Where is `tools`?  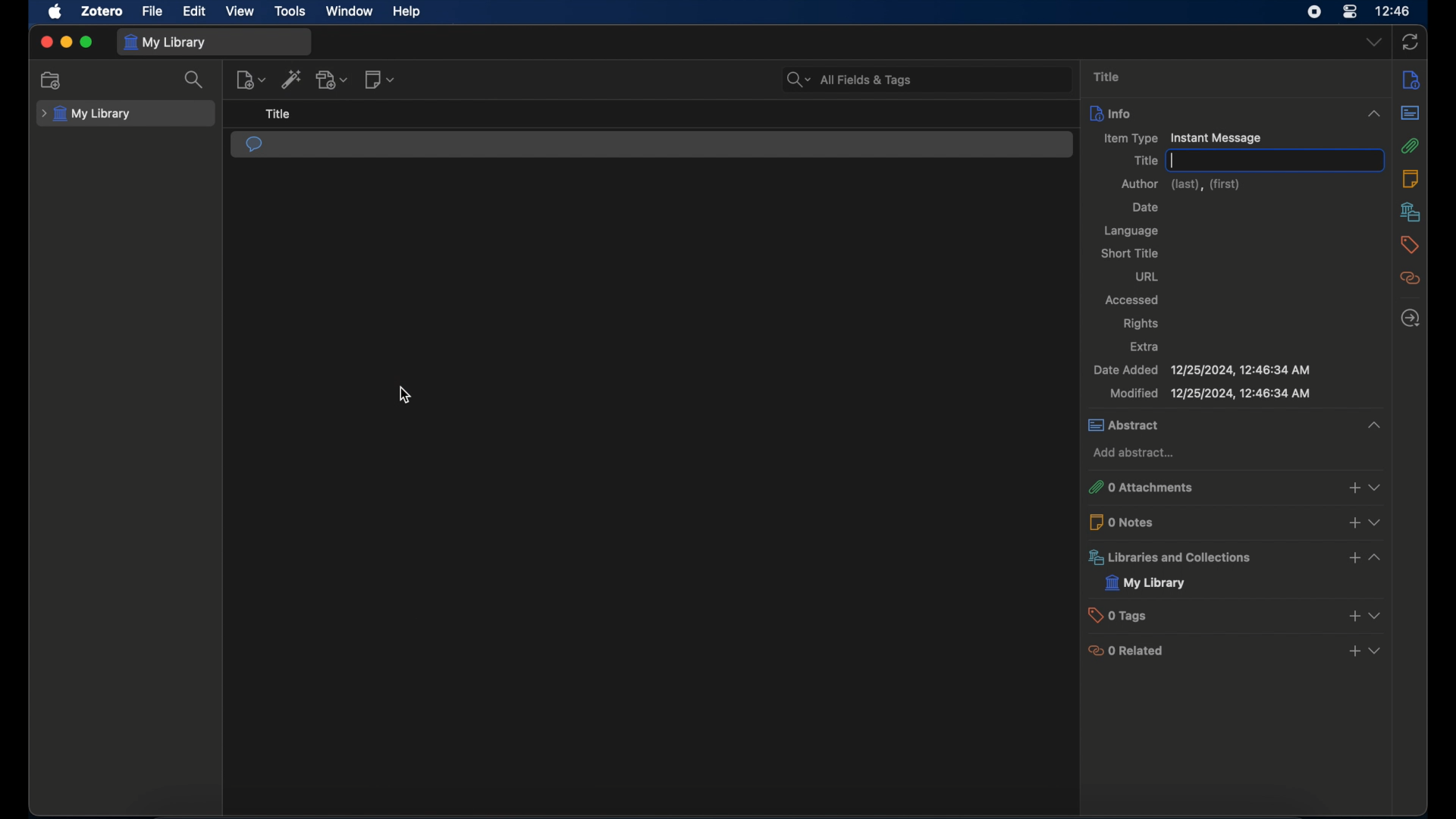
tools is located at coordinates (290, 11).